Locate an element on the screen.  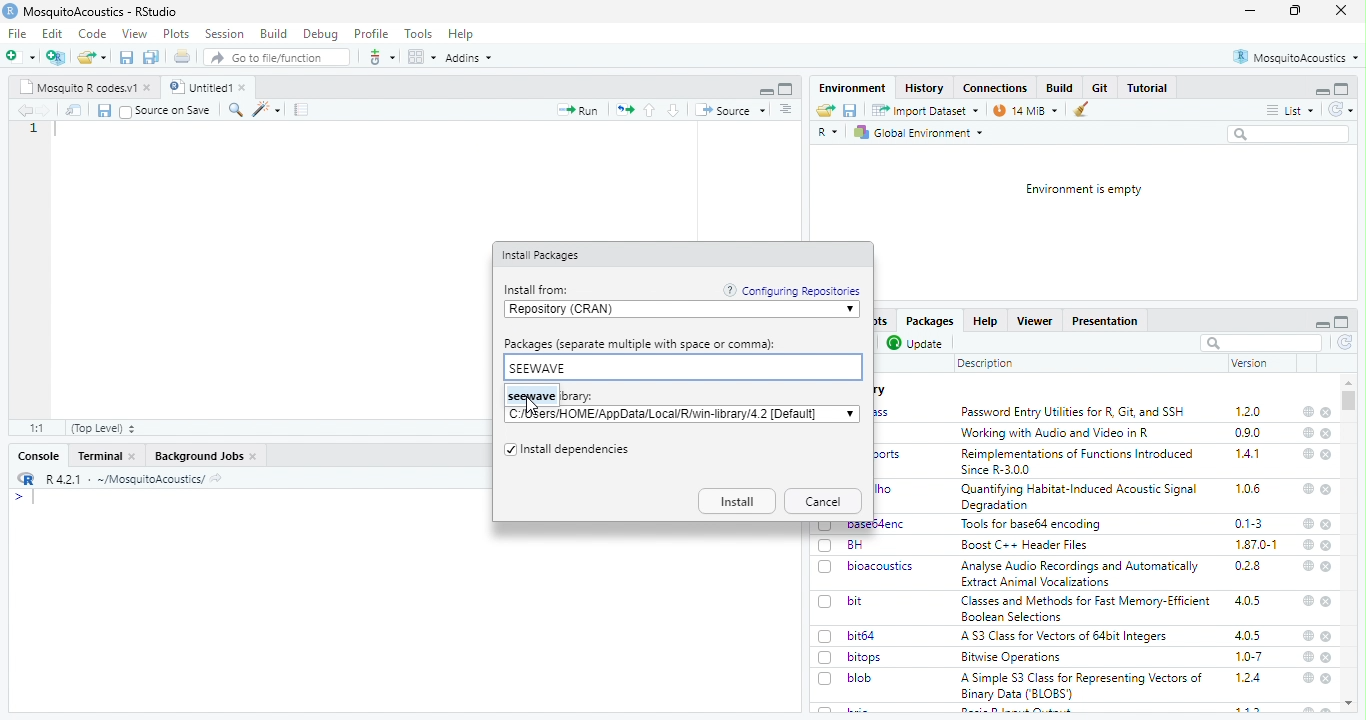
Code is located at coordinates (94, 33).